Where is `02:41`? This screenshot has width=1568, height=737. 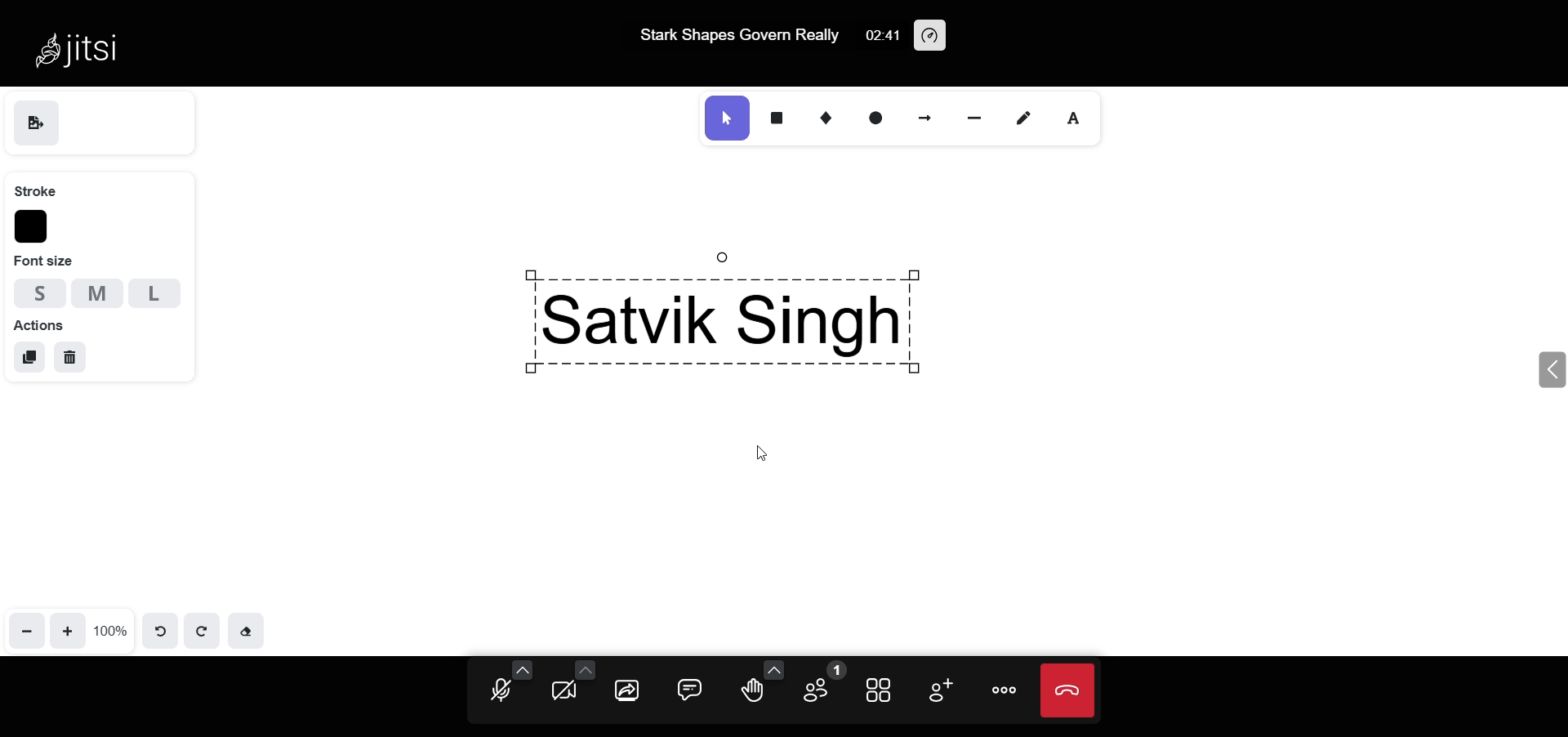
02:41 is located at coordinates (880, 36).